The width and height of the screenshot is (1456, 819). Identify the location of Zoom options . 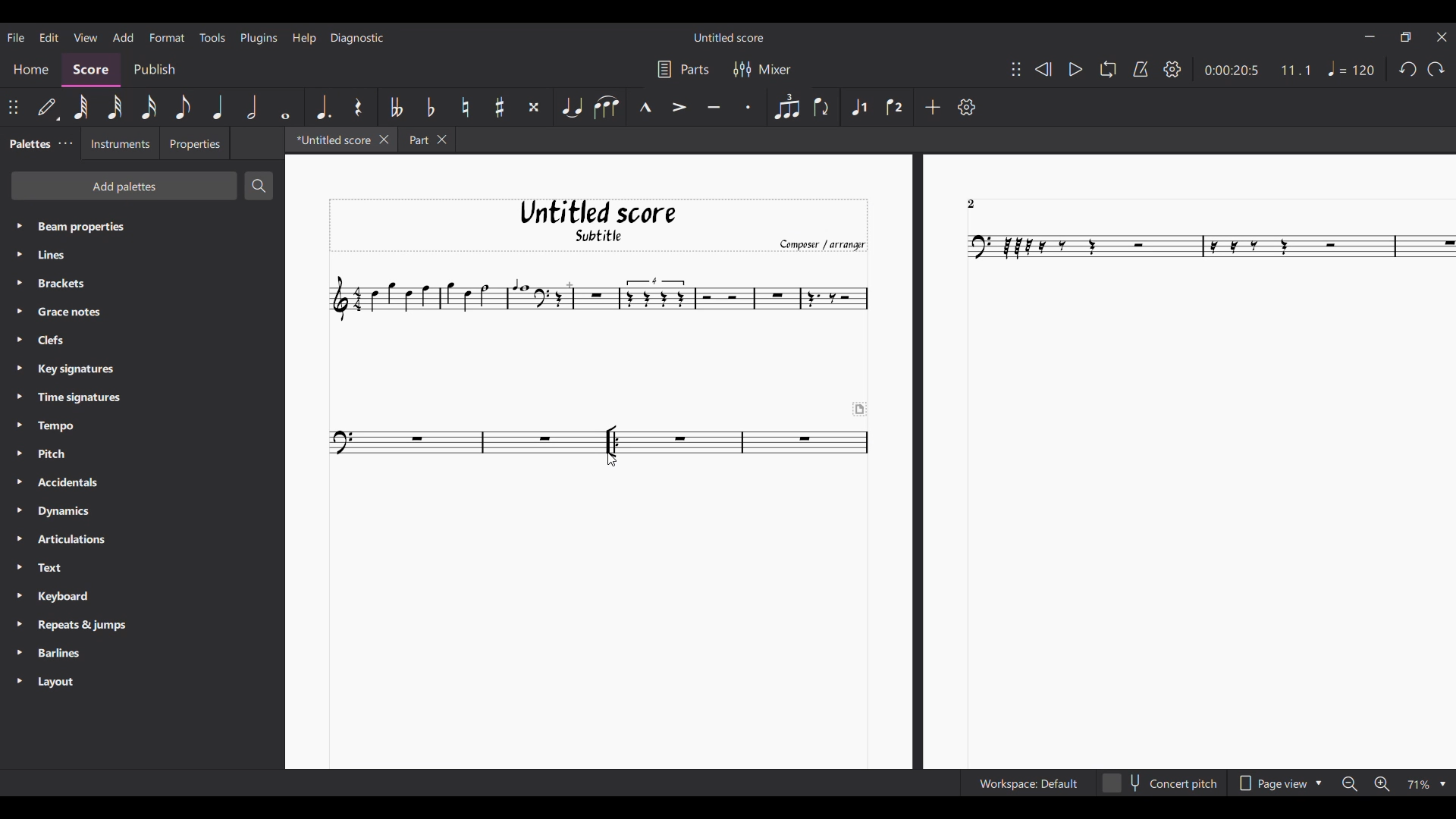
(1426, 785).